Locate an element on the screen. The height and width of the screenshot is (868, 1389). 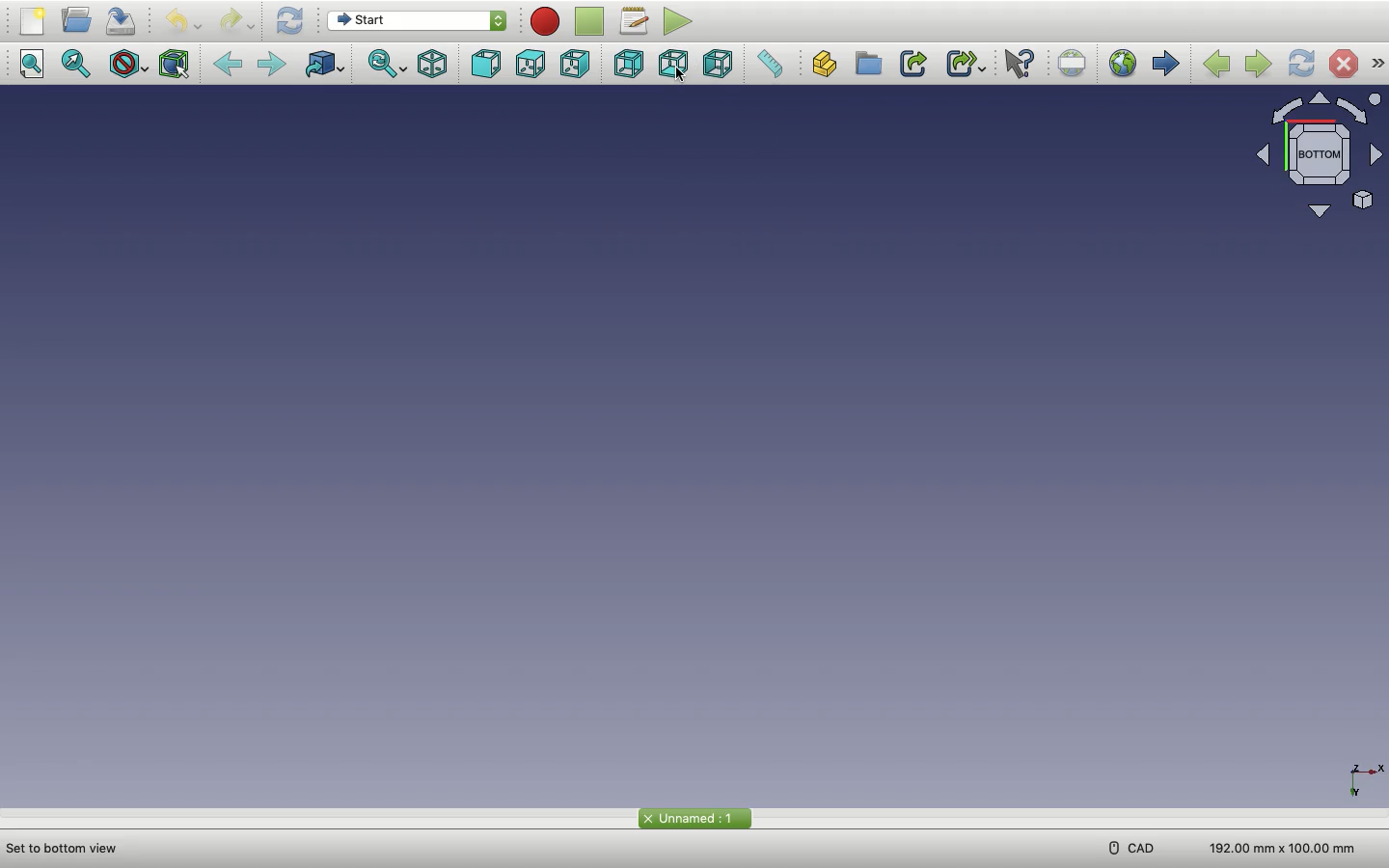
Back  is located at coordinates (231, 65).